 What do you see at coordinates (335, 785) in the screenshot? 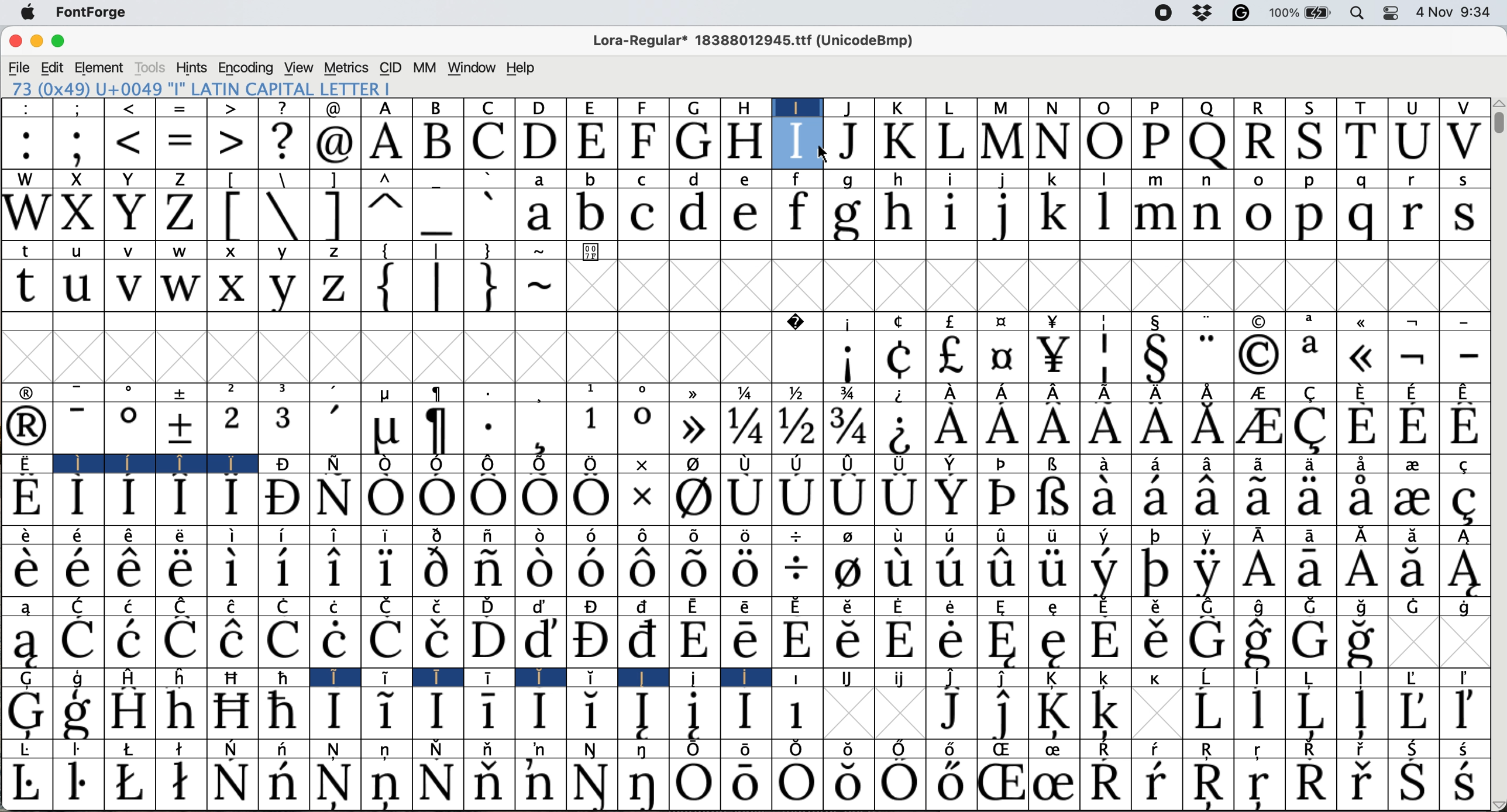
I see `Symbol` at bounding box center [335, 785].